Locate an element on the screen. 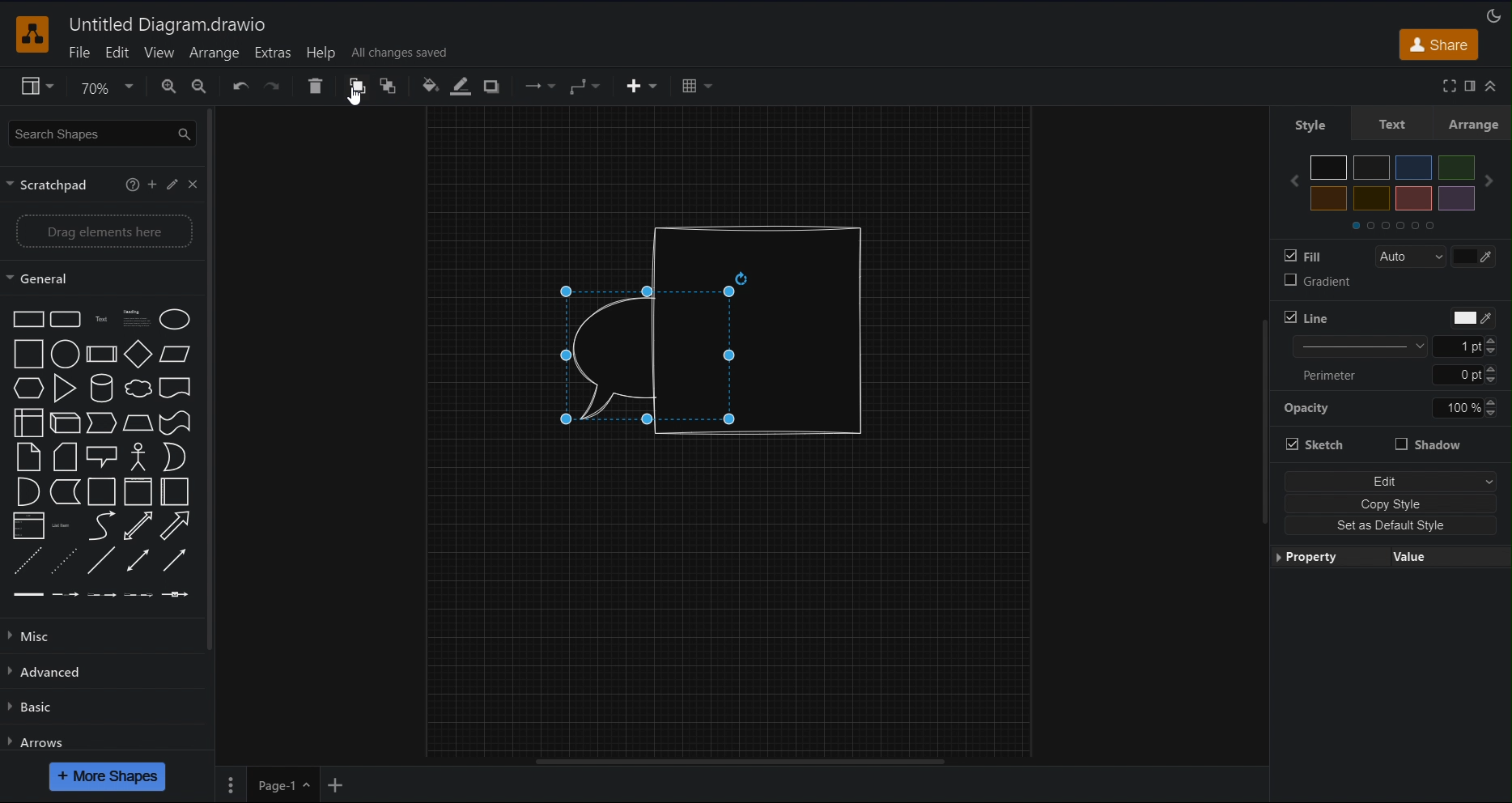  All changes saved is located at coordinates (400, 53).